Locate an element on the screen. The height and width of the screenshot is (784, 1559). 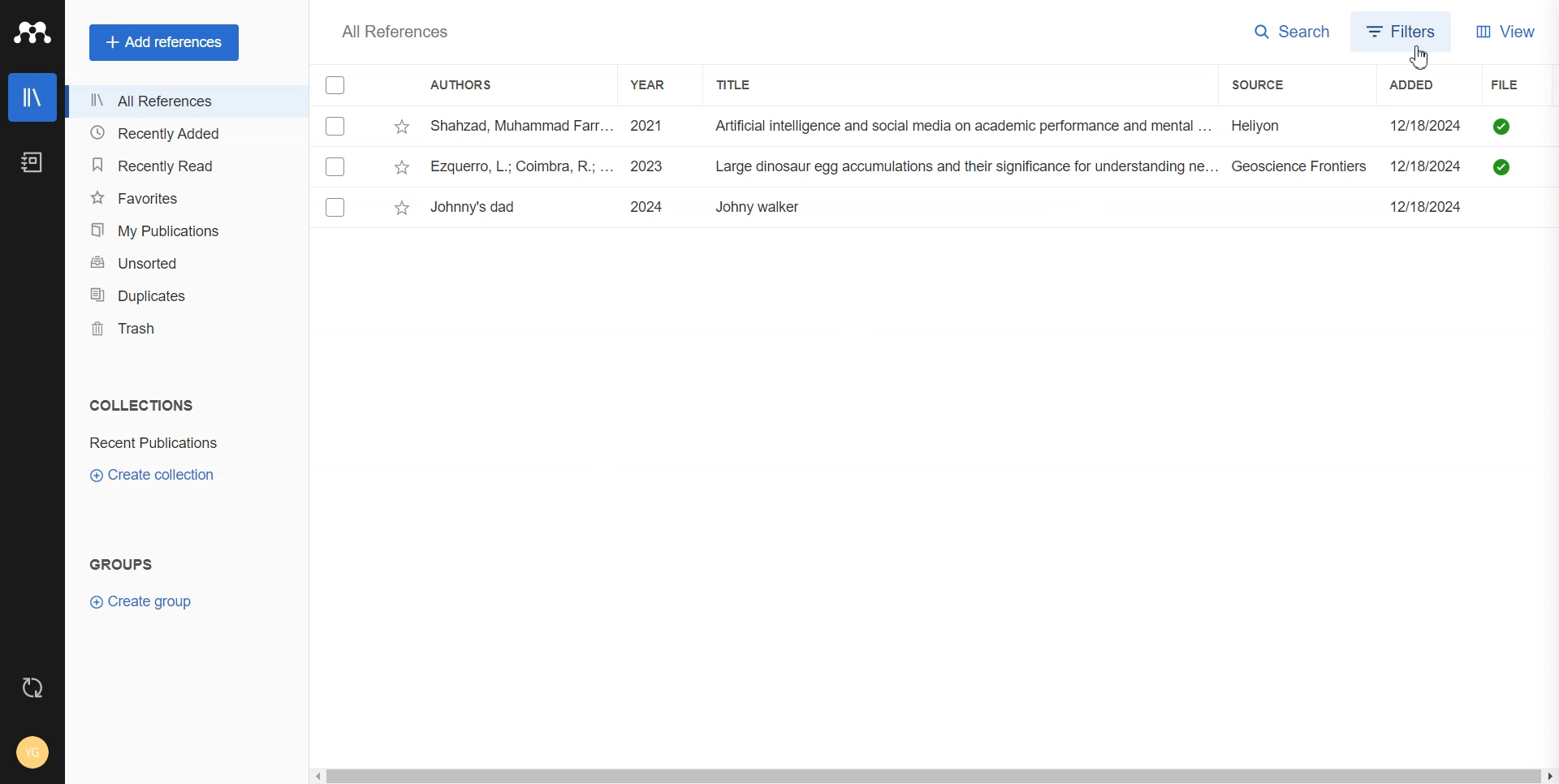
Create collection is located at coordinates (153, 474).